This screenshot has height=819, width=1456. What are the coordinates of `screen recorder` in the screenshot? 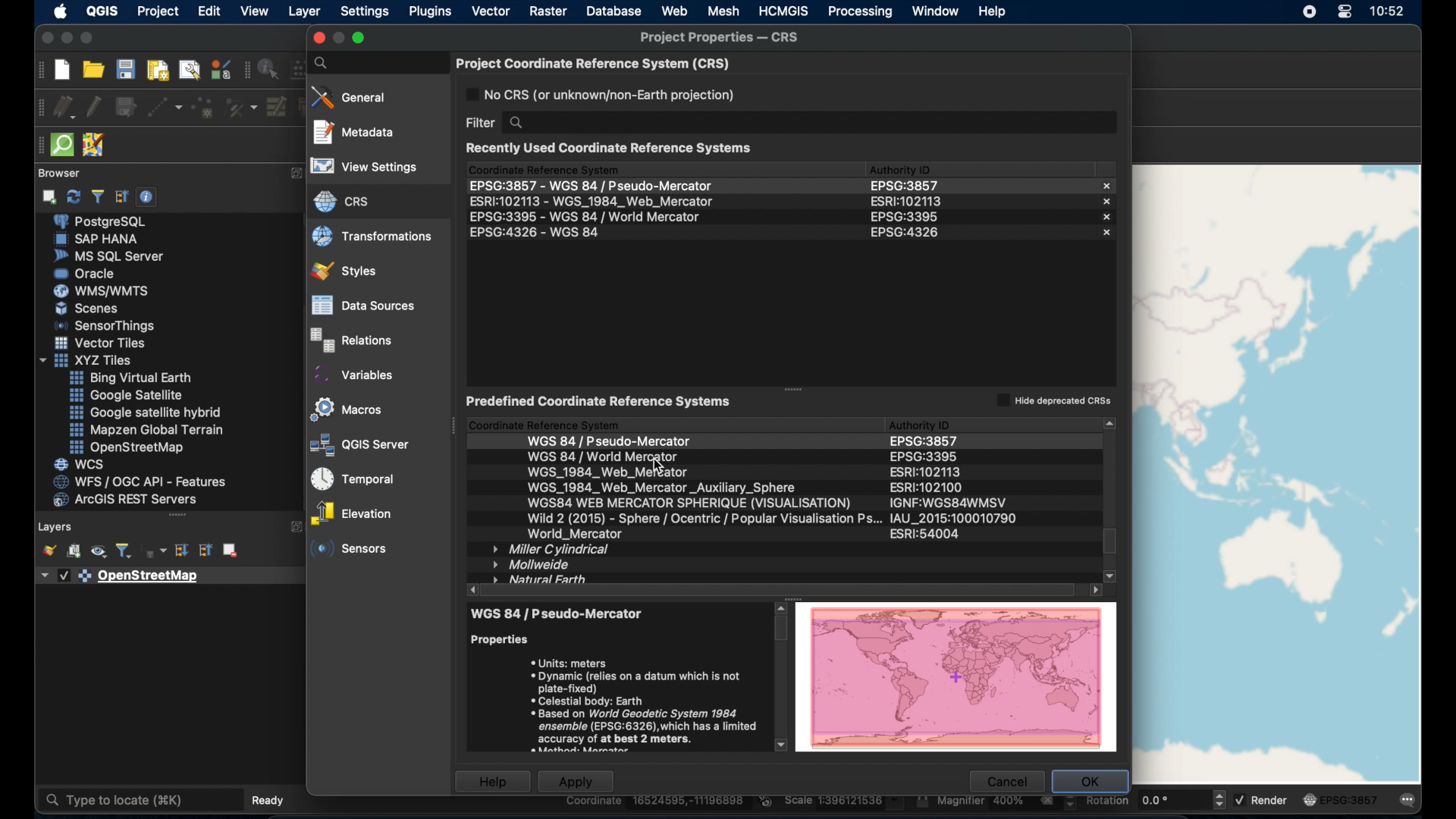 It's located at (1303, 13).